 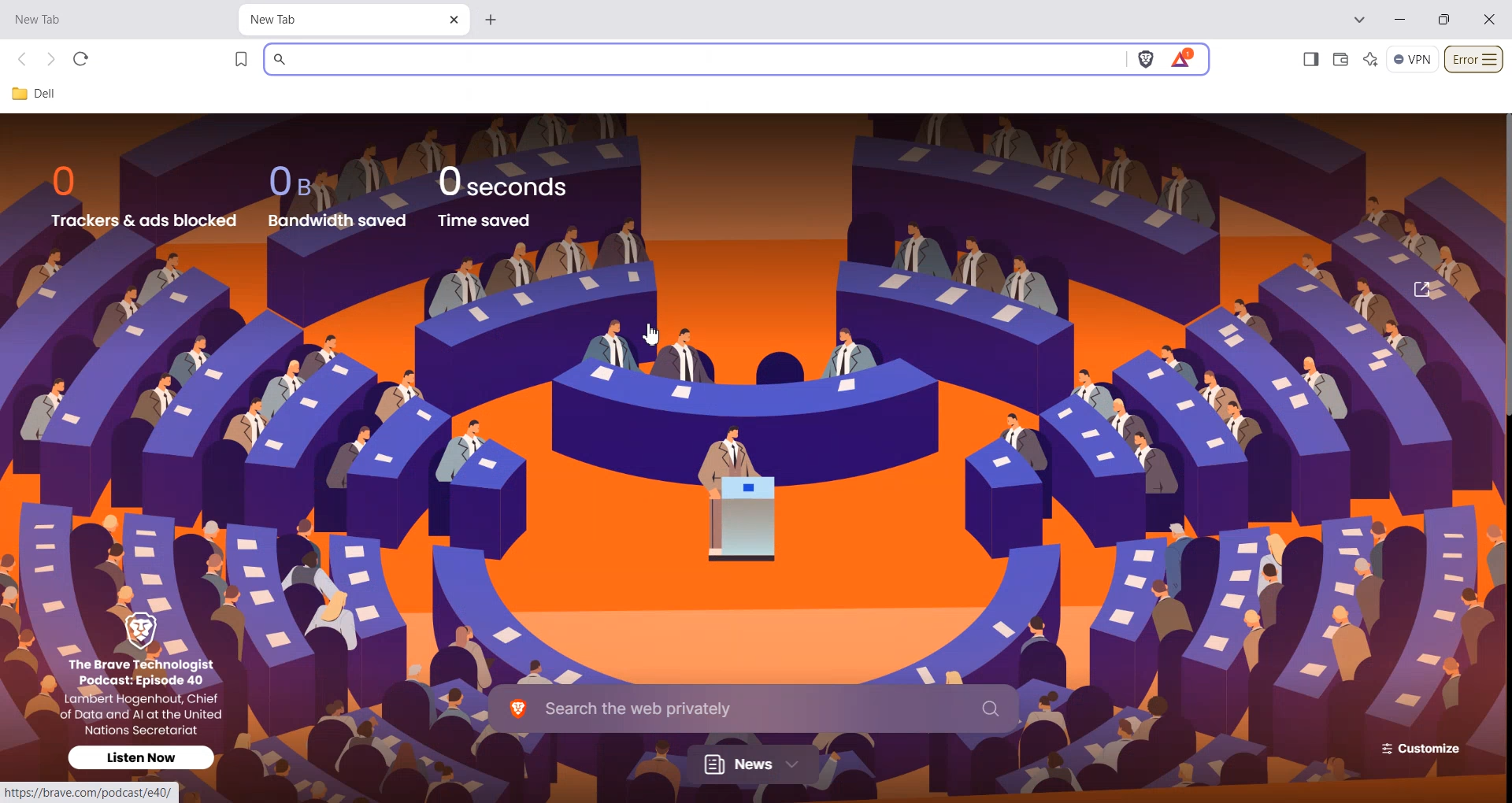 What do you see at coordinates (40, 94) in the screenshot?
I see `Dell File` at bounding box center [40, 94].